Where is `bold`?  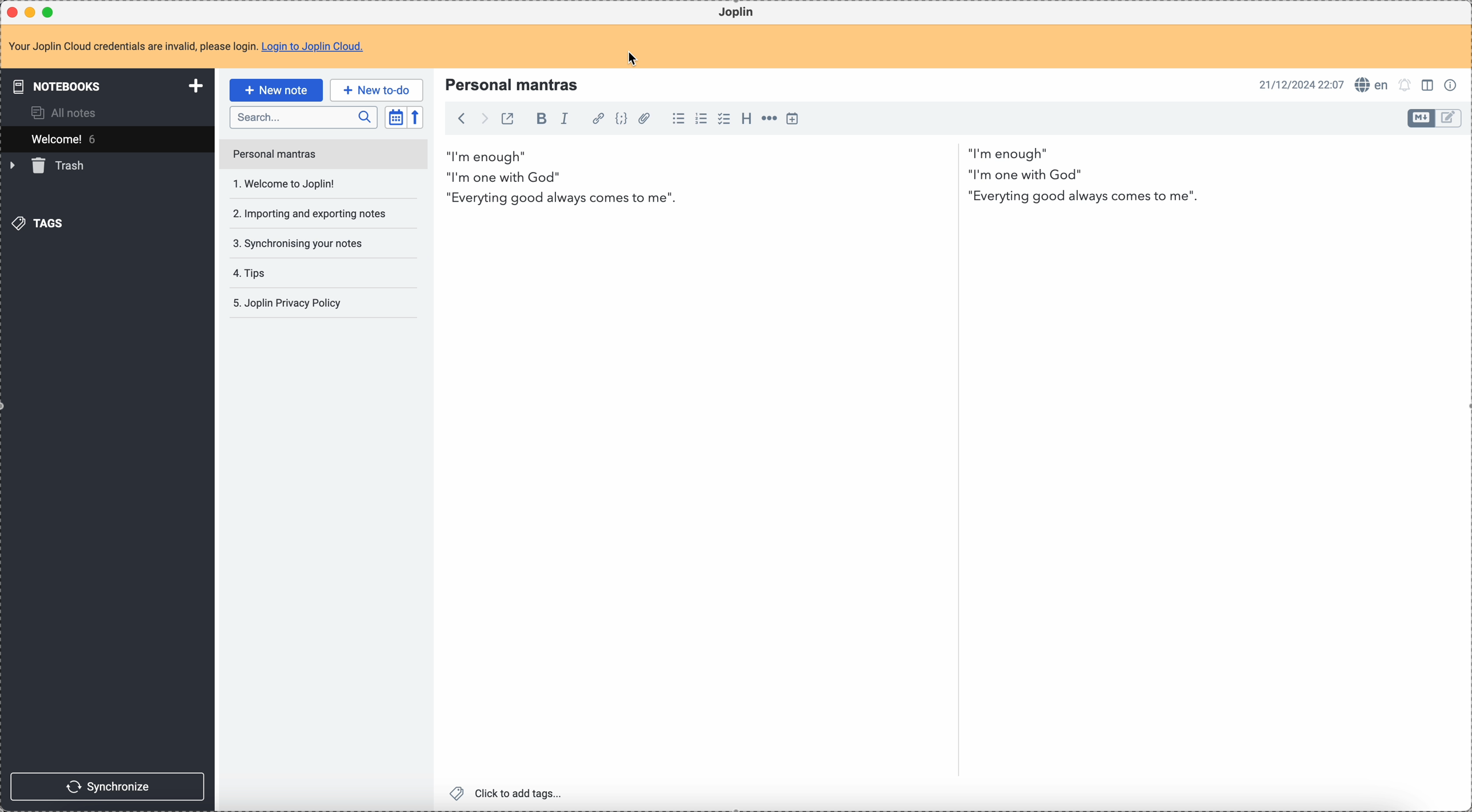 bold is located at coordinates (541, 119).